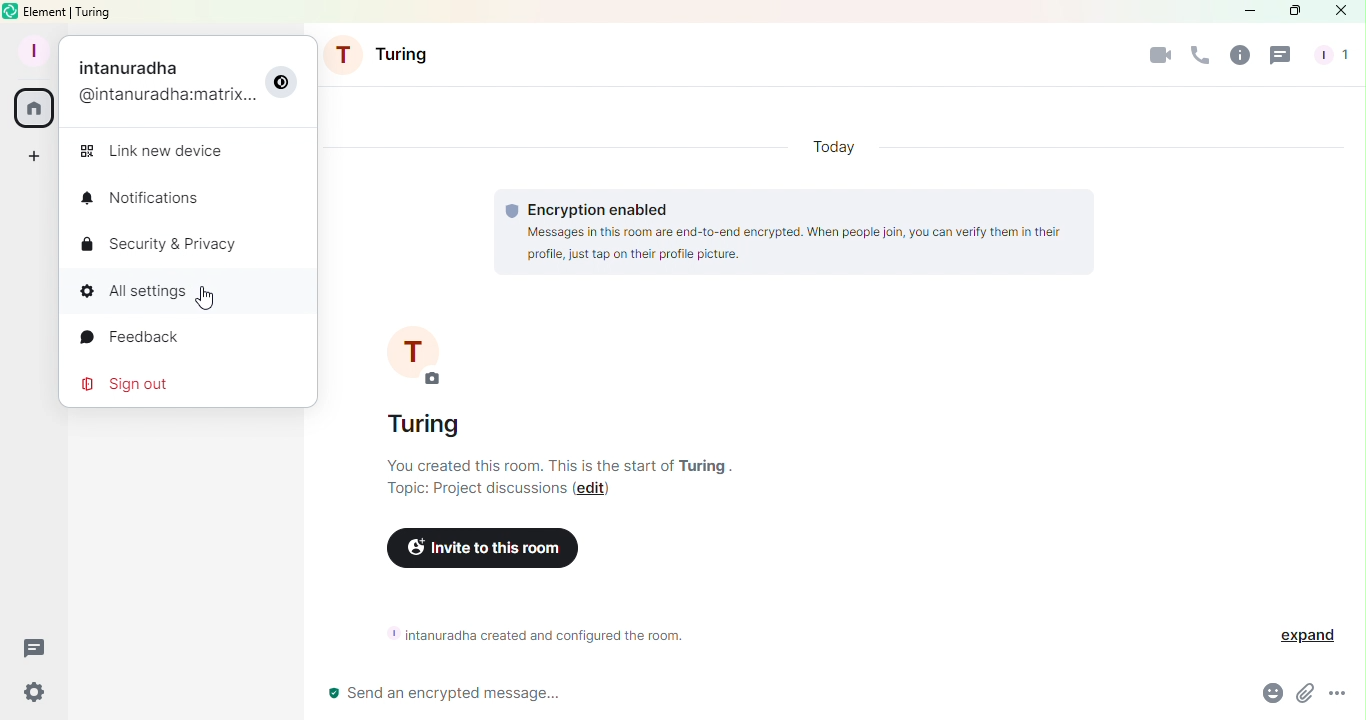  I want to click on Room info, so click(1235, 55).